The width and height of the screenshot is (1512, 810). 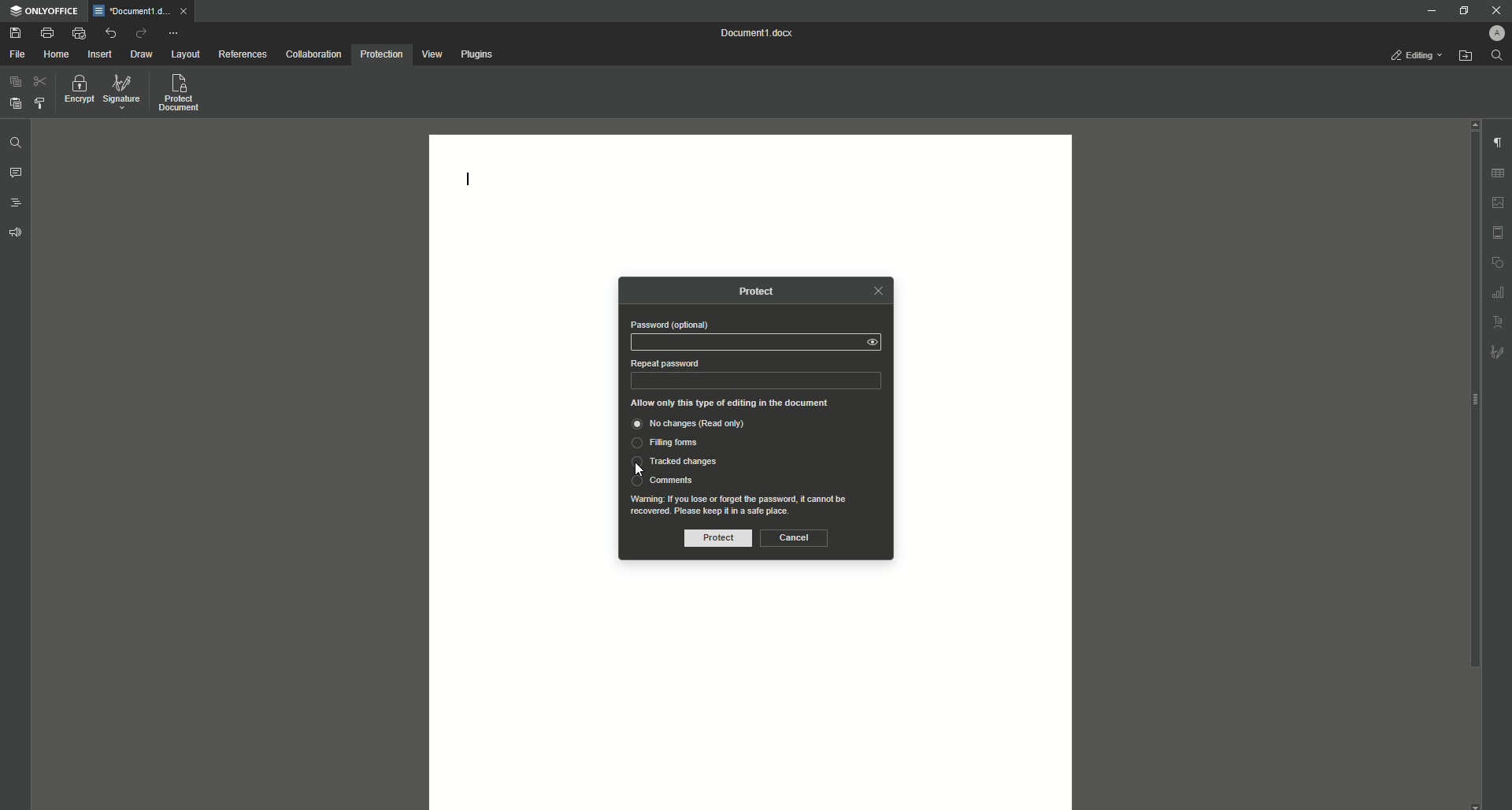 What do you see at coordinates (758, 381) in the screenshot?
I see `Repeat Password` at bounding box center [758, 381].